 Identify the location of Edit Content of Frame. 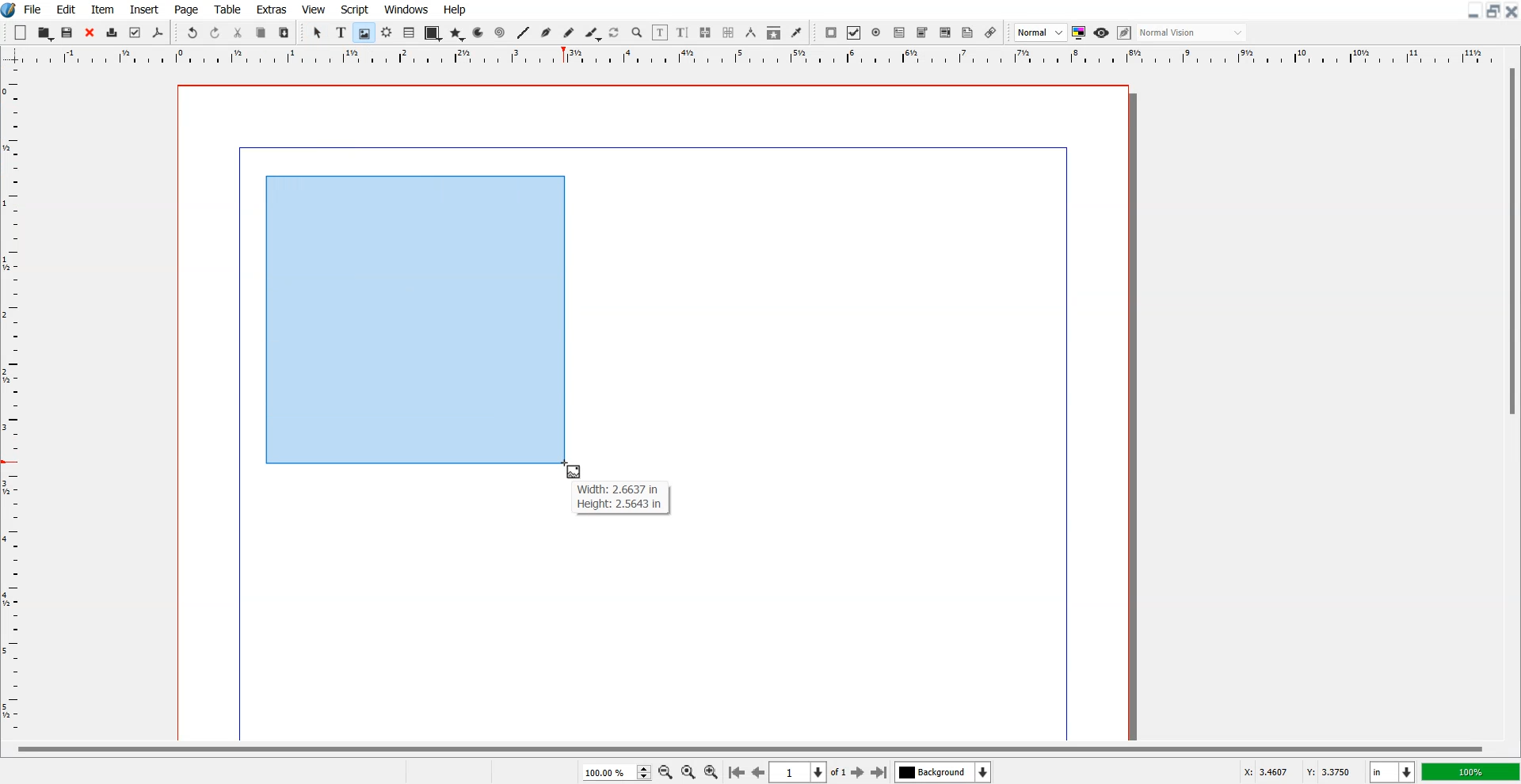
(661, 32).